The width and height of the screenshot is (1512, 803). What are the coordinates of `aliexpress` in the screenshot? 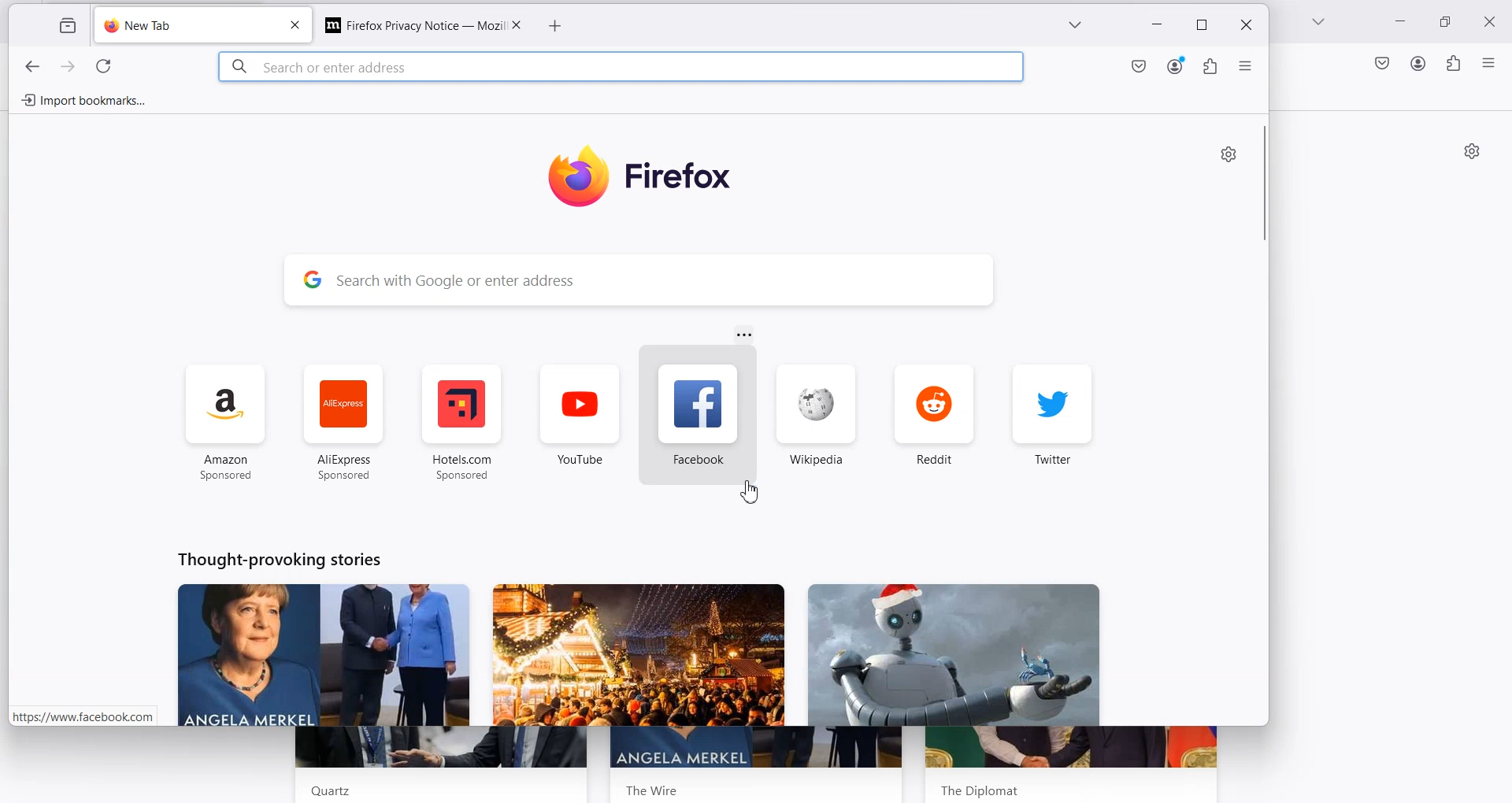 It's located at (339, 422).